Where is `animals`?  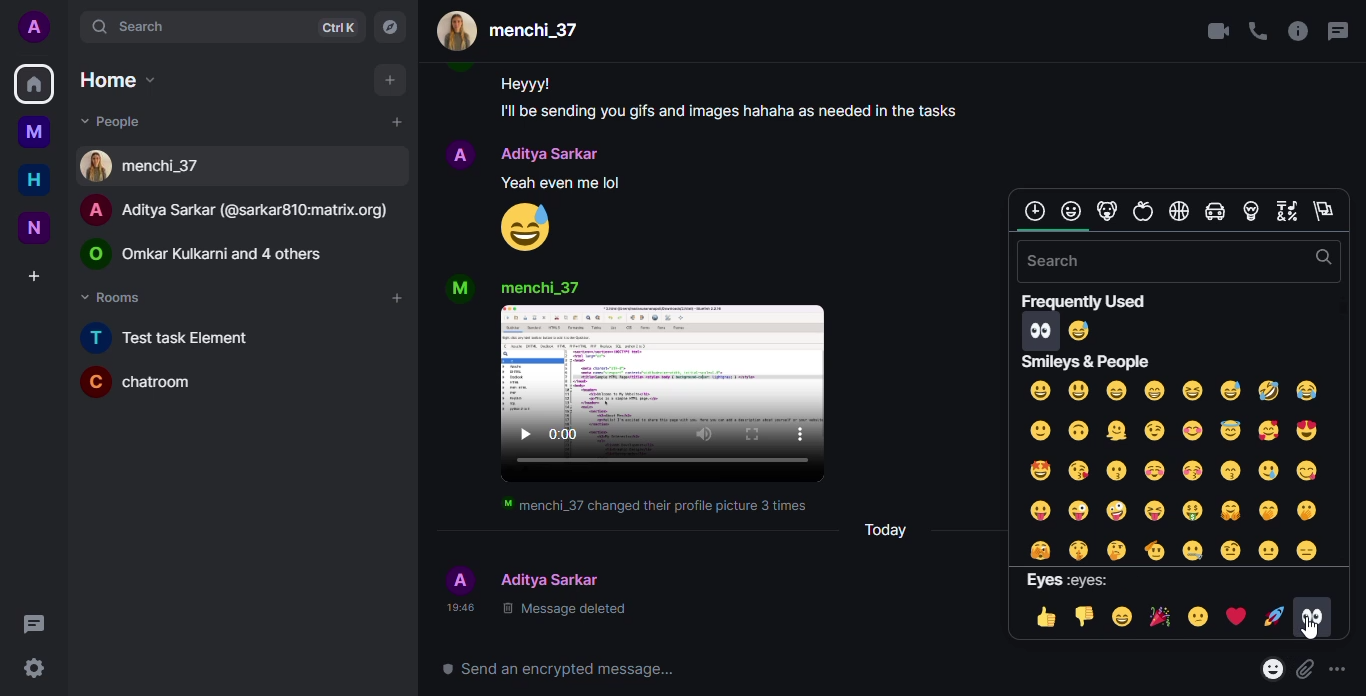 animals is located at coordinates (1106, 211).